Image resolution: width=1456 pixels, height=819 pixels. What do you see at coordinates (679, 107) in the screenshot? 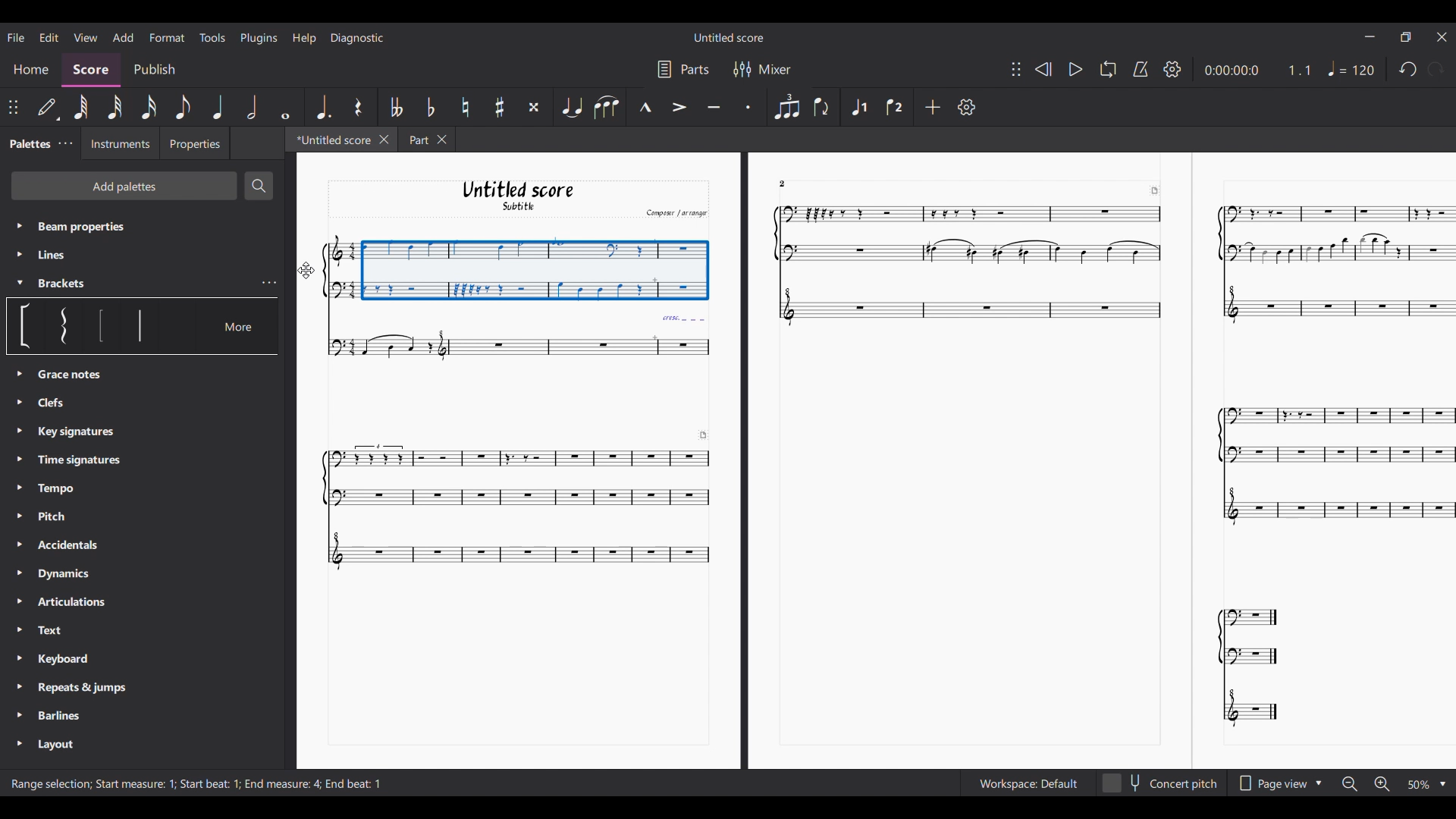
I see `Accent` at bounding box center [679, 107].